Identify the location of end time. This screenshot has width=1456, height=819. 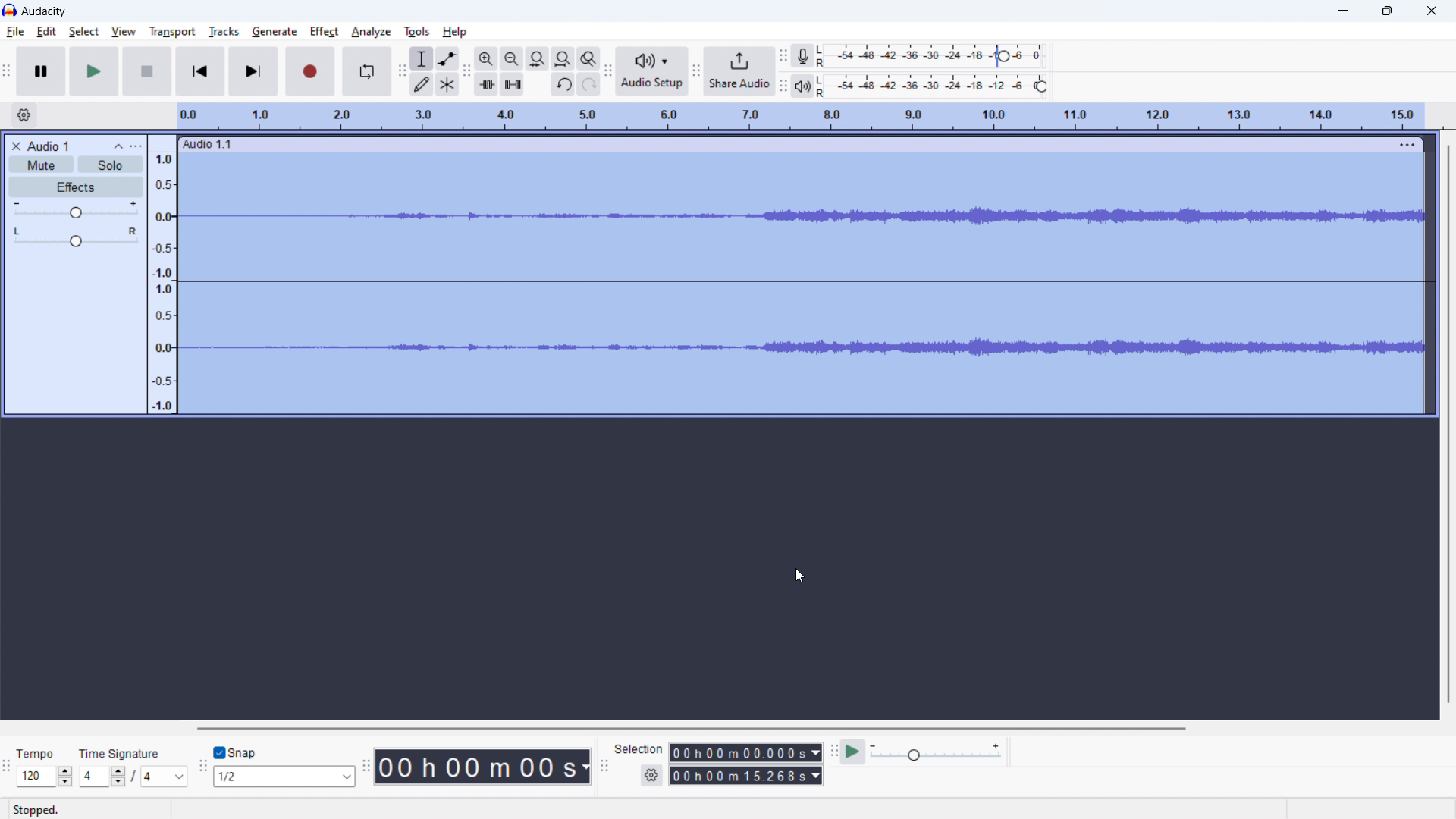
(745, 775).